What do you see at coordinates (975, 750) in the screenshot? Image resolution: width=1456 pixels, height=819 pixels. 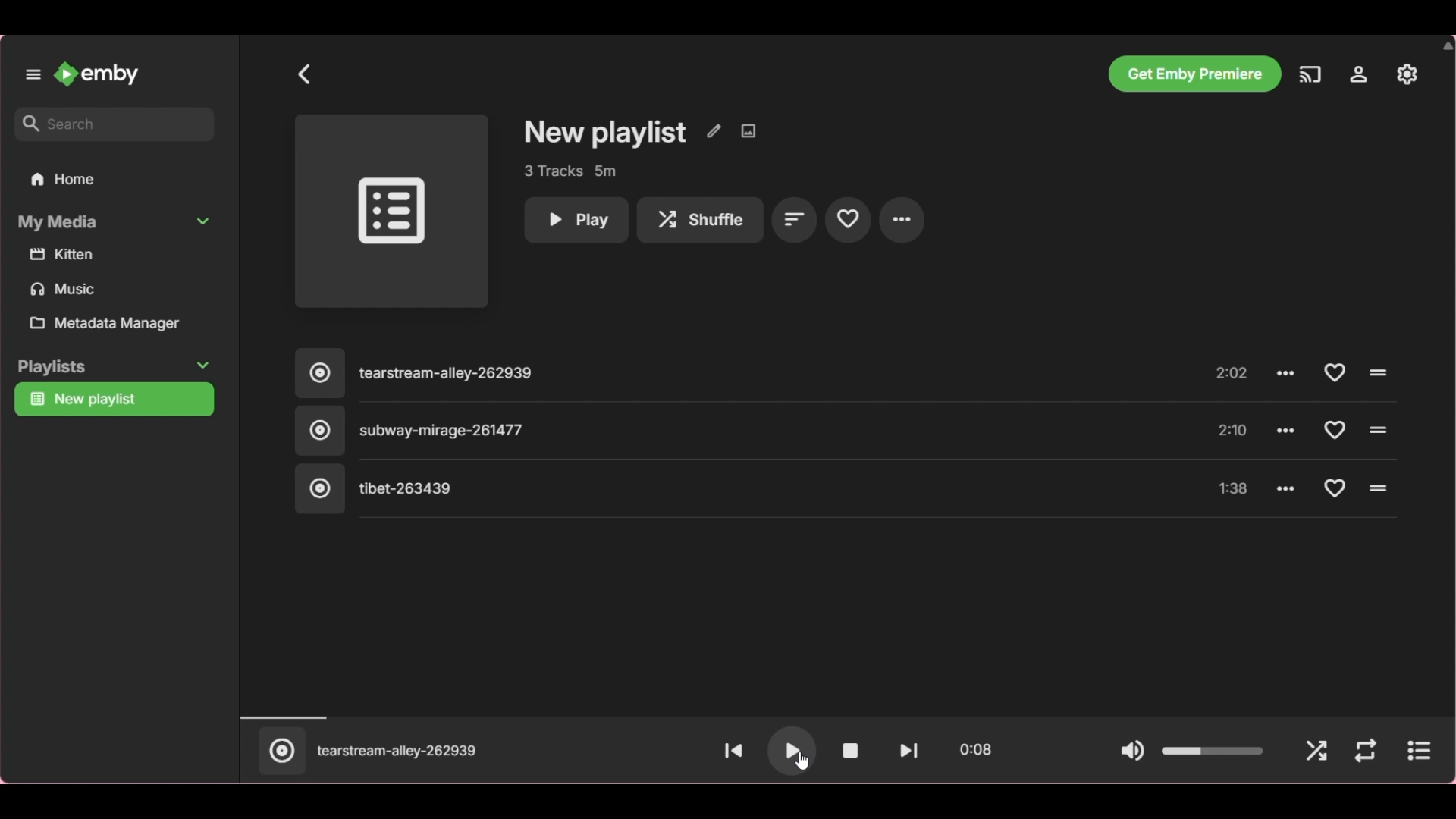 I see `Current timestamp of song playing` at bounding box center [975, 750].